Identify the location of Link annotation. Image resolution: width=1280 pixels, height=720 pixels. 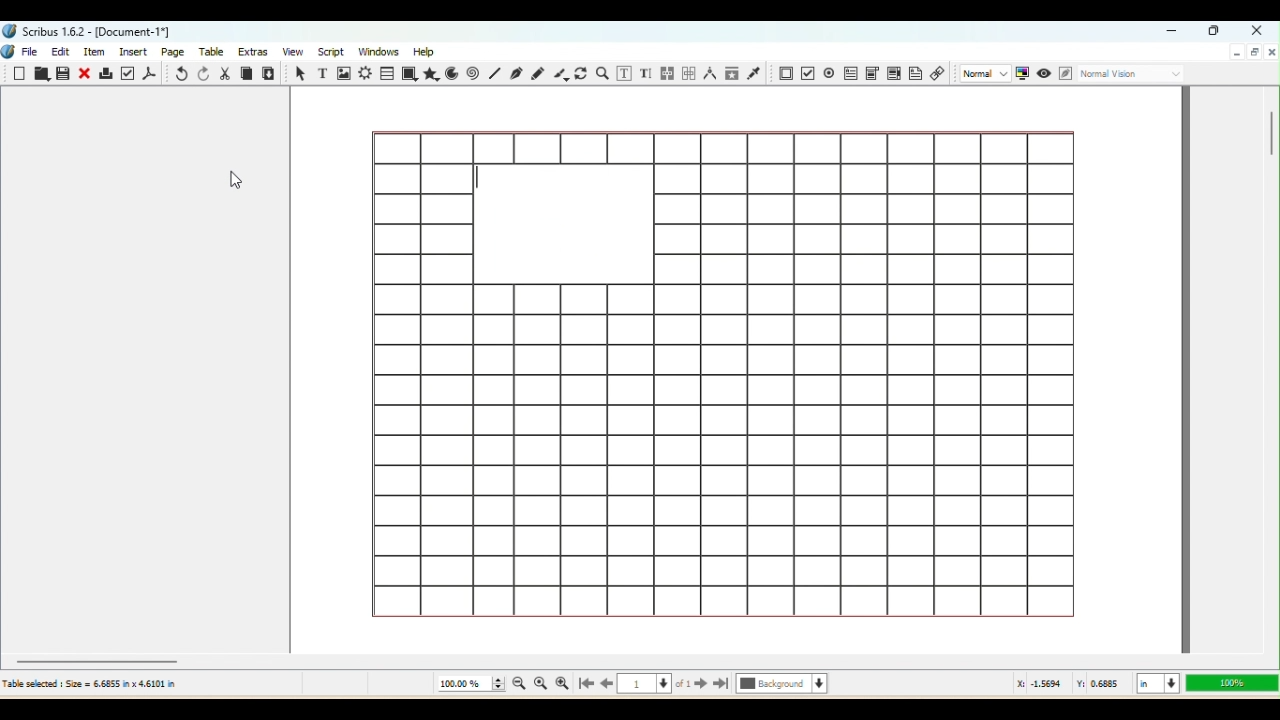
(938, 75).